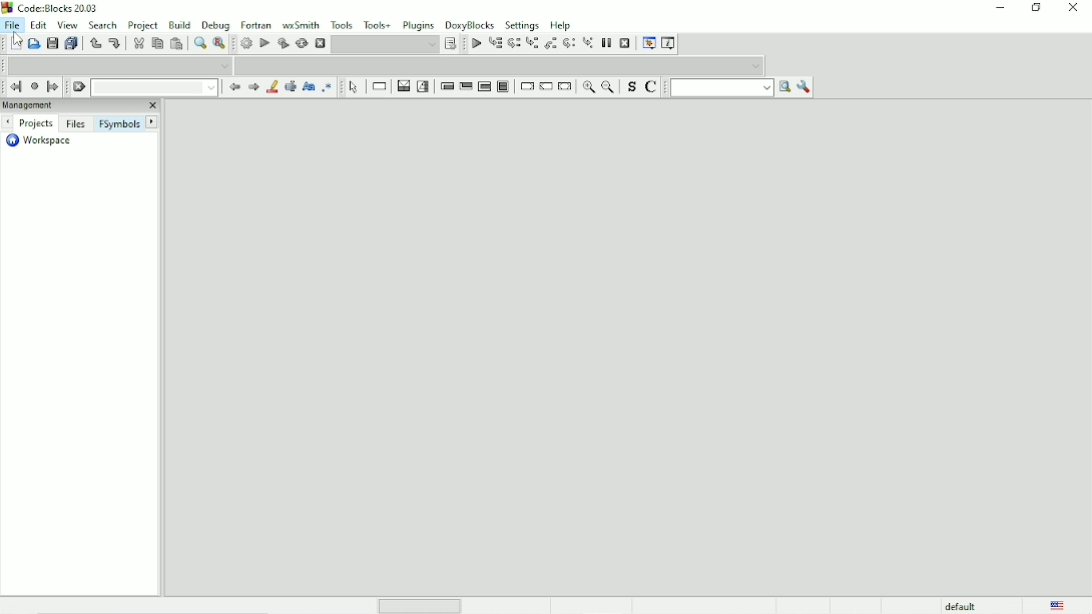 This screenshot has height=614, width=1092. What do you see at coordinates (154, 87) in the screenshot?
I see `Drop down` at bounding box center [154, 87].